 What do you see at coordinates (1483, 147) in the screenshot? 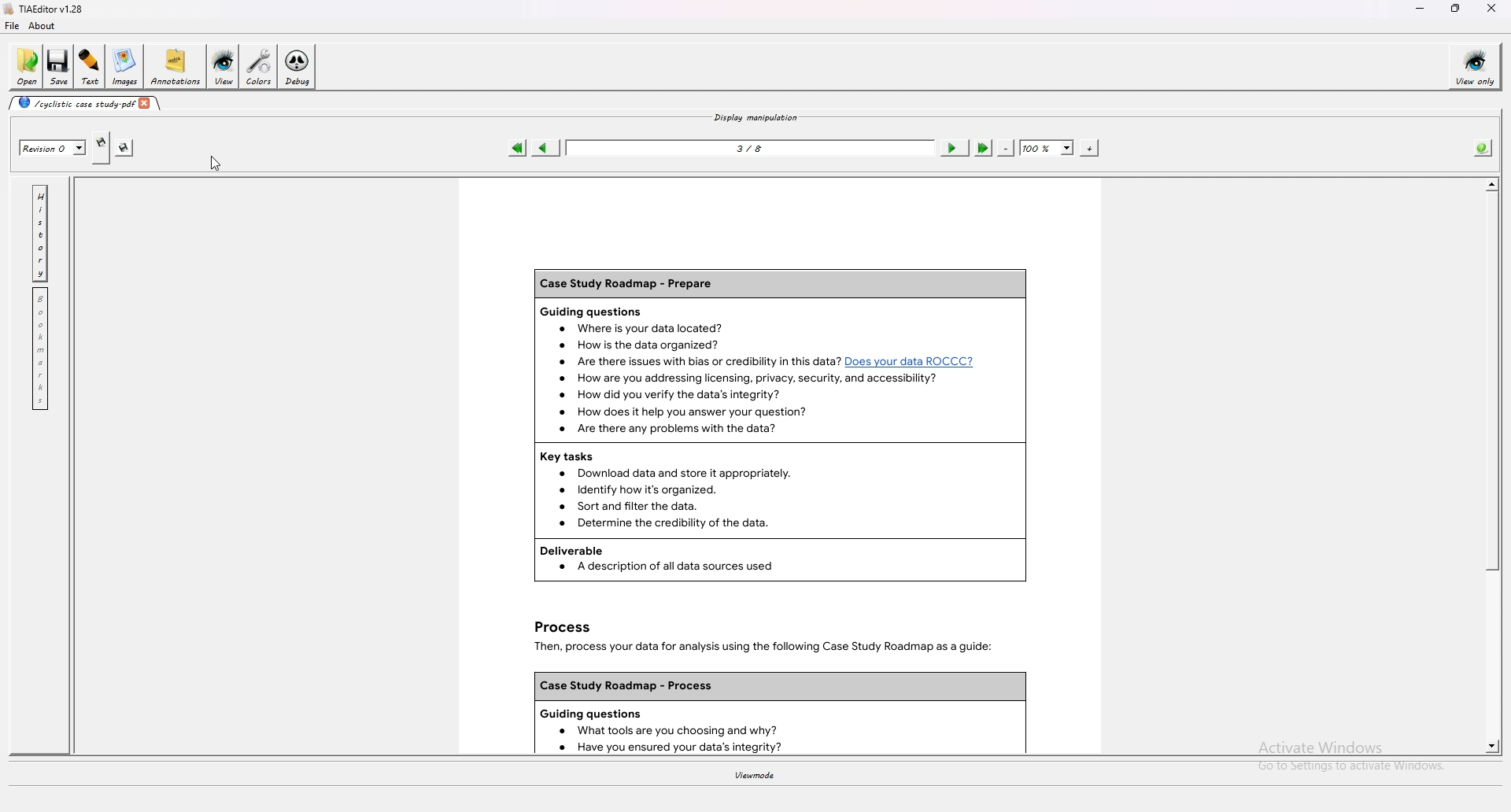
I see `info about pdf` at bounding box center [1483, 147].